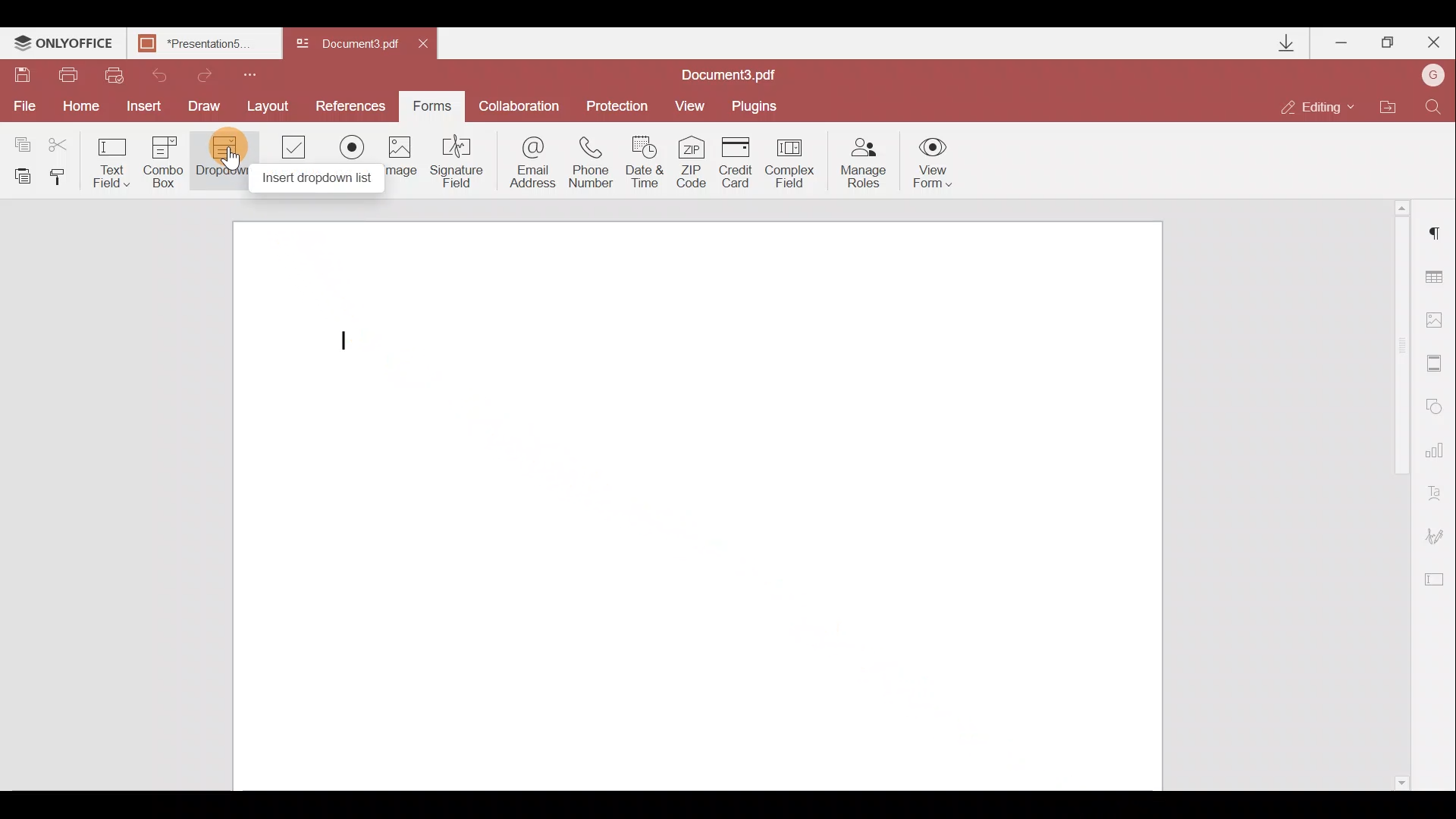 This screenshot has height=819, width=1456. I want to click on Print file, so click(70, 76).